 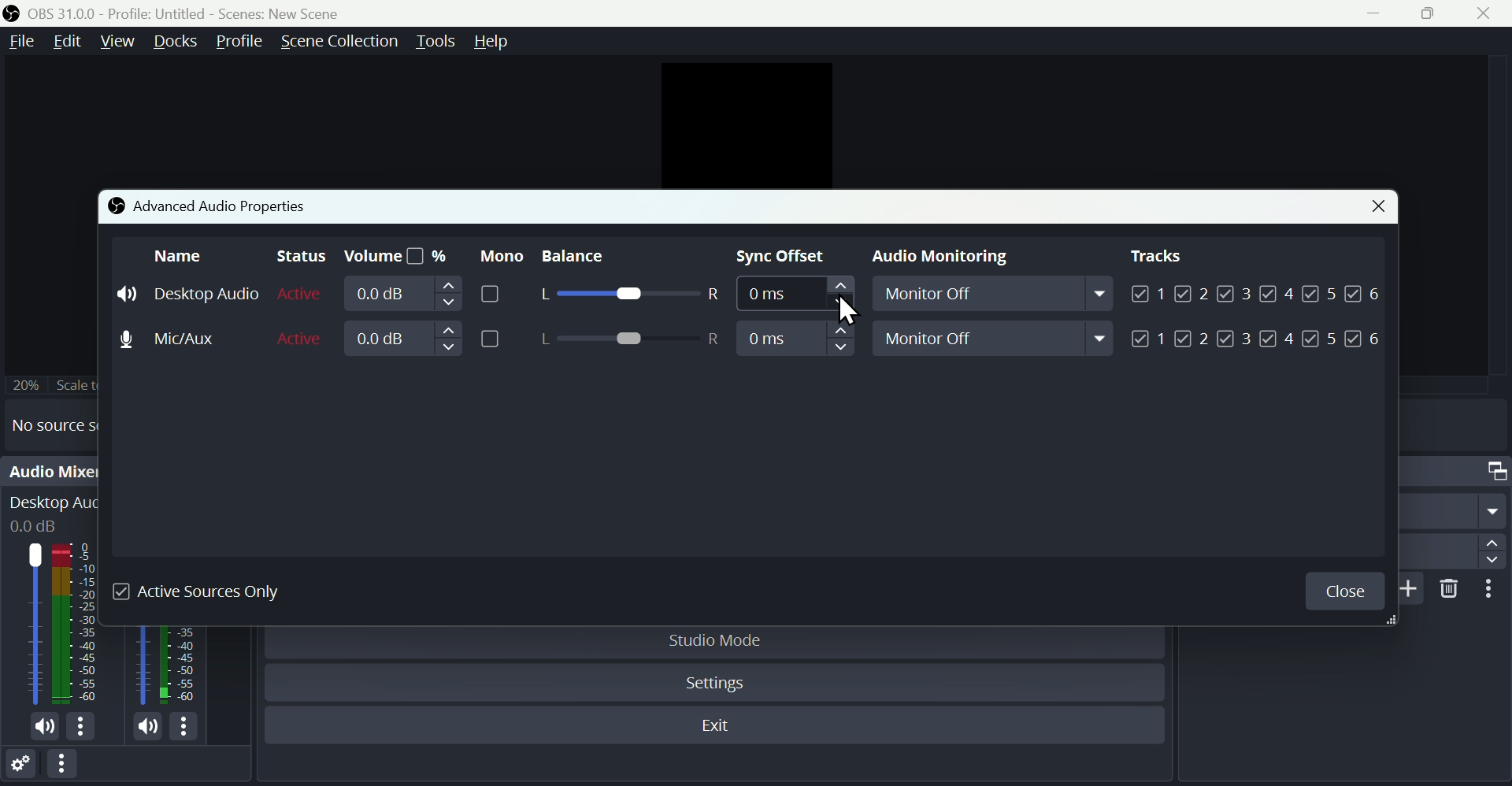 What do you see at coordinates (849, 312) in the screenshot?
I see `Cursor` at bounding box center [849, 312].